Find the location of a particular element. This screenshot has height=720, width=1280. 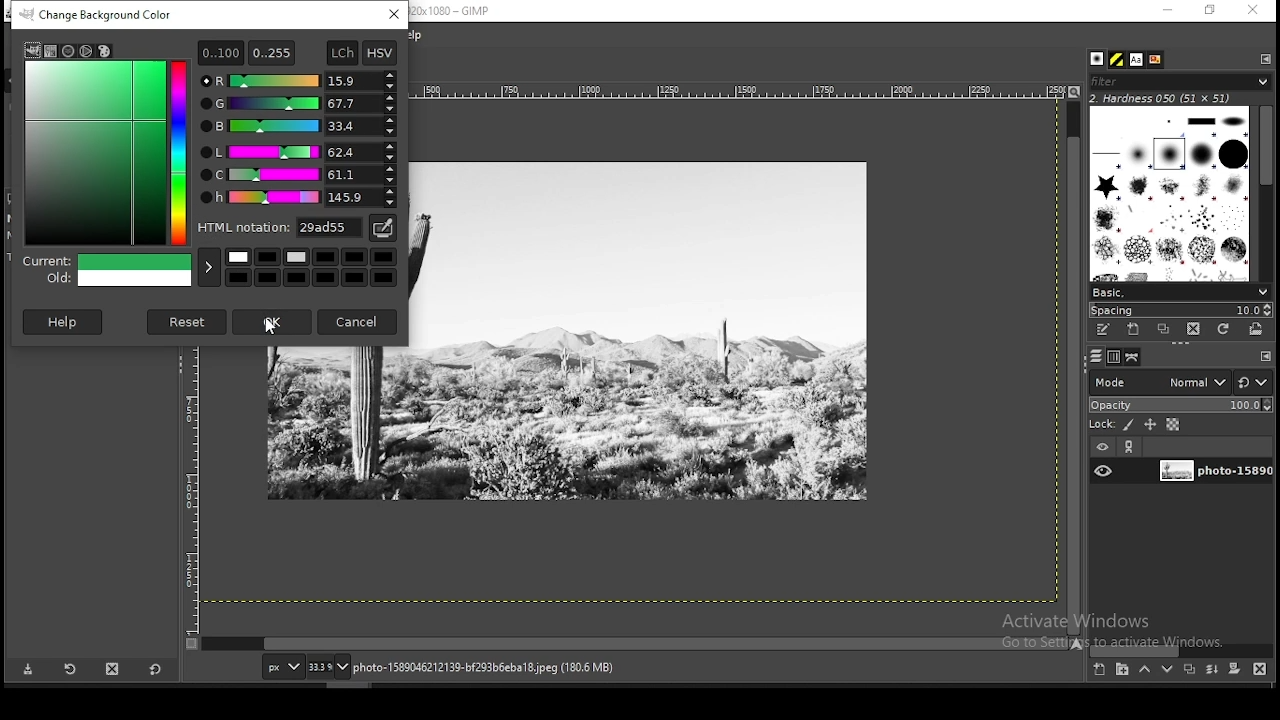

layer visibility is located at coordinates (1101, 448).